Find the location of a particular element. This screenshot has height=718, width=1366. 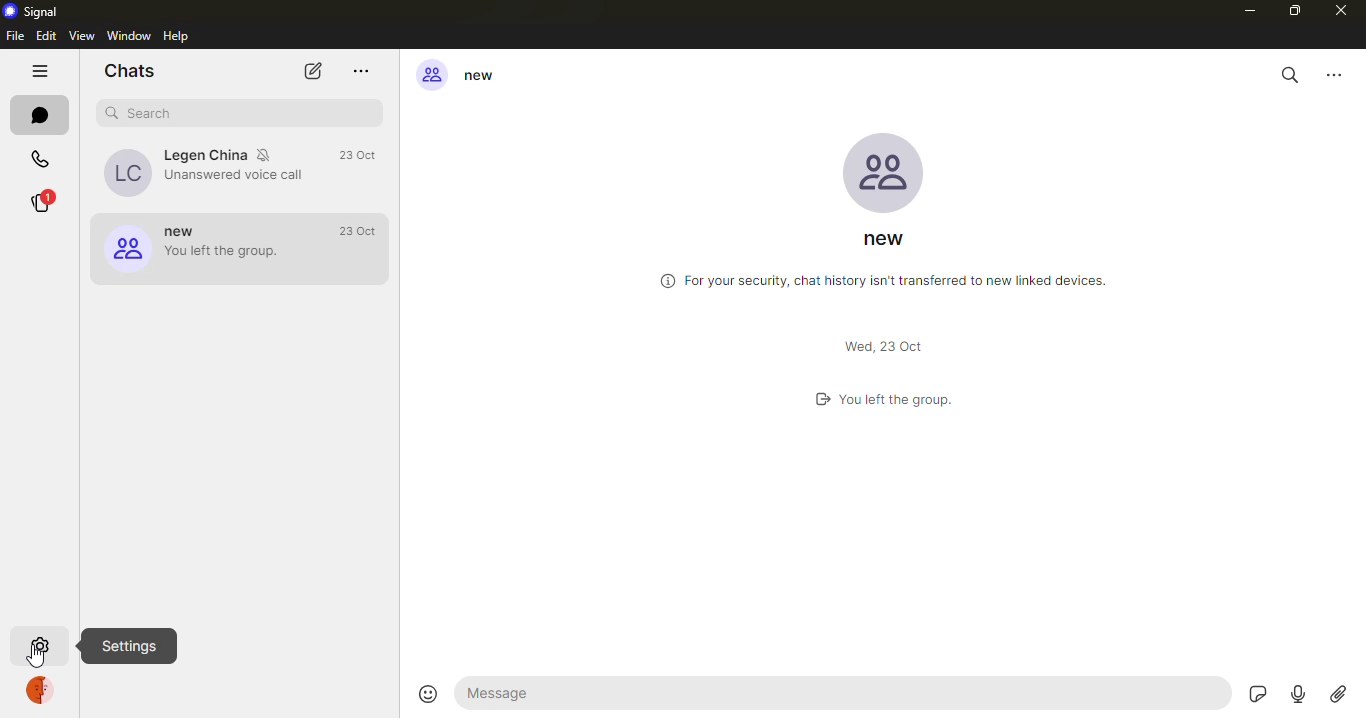

contact is located at coordinates (208, 175).